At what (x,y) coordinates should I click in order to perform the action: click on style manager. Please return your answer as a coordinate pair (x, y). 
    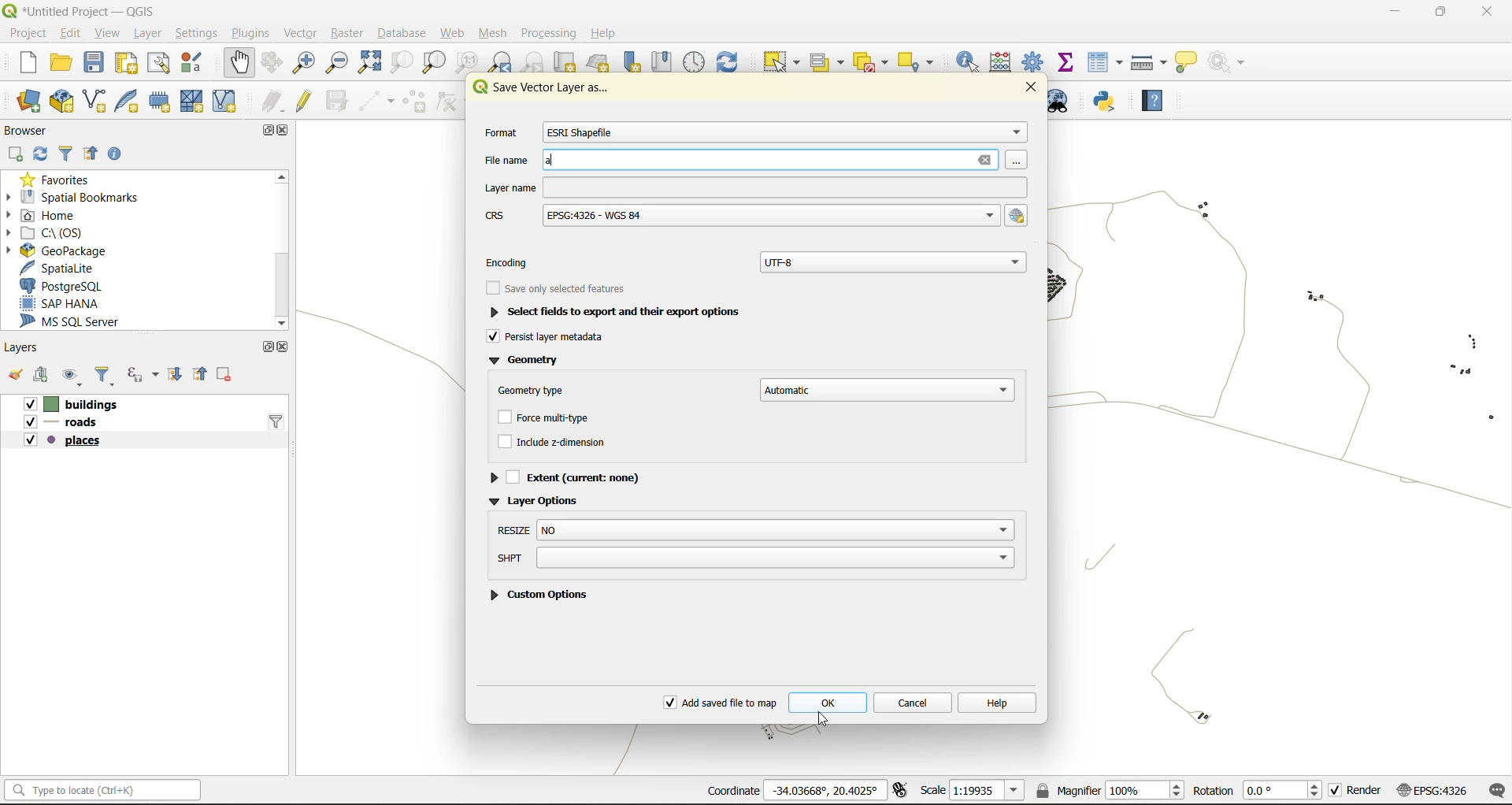
    Looking at the image, I should click on (198, 65).